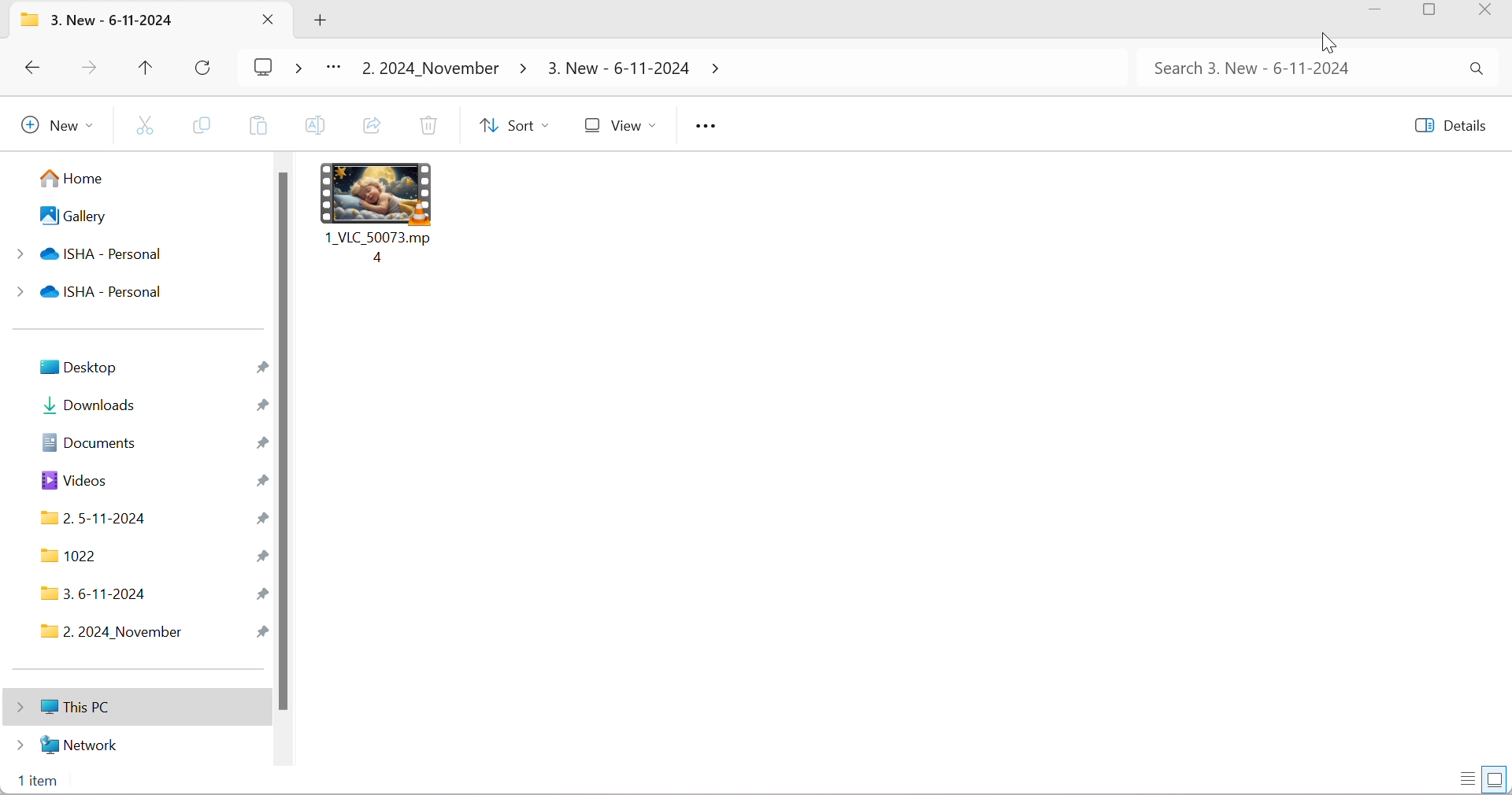 The width and height of the screenshot is (1512, 795). What do you see at coordinates (259, 126) in the screenshot?
I see `Copy to clipboard` at bounding box center [259, 126].